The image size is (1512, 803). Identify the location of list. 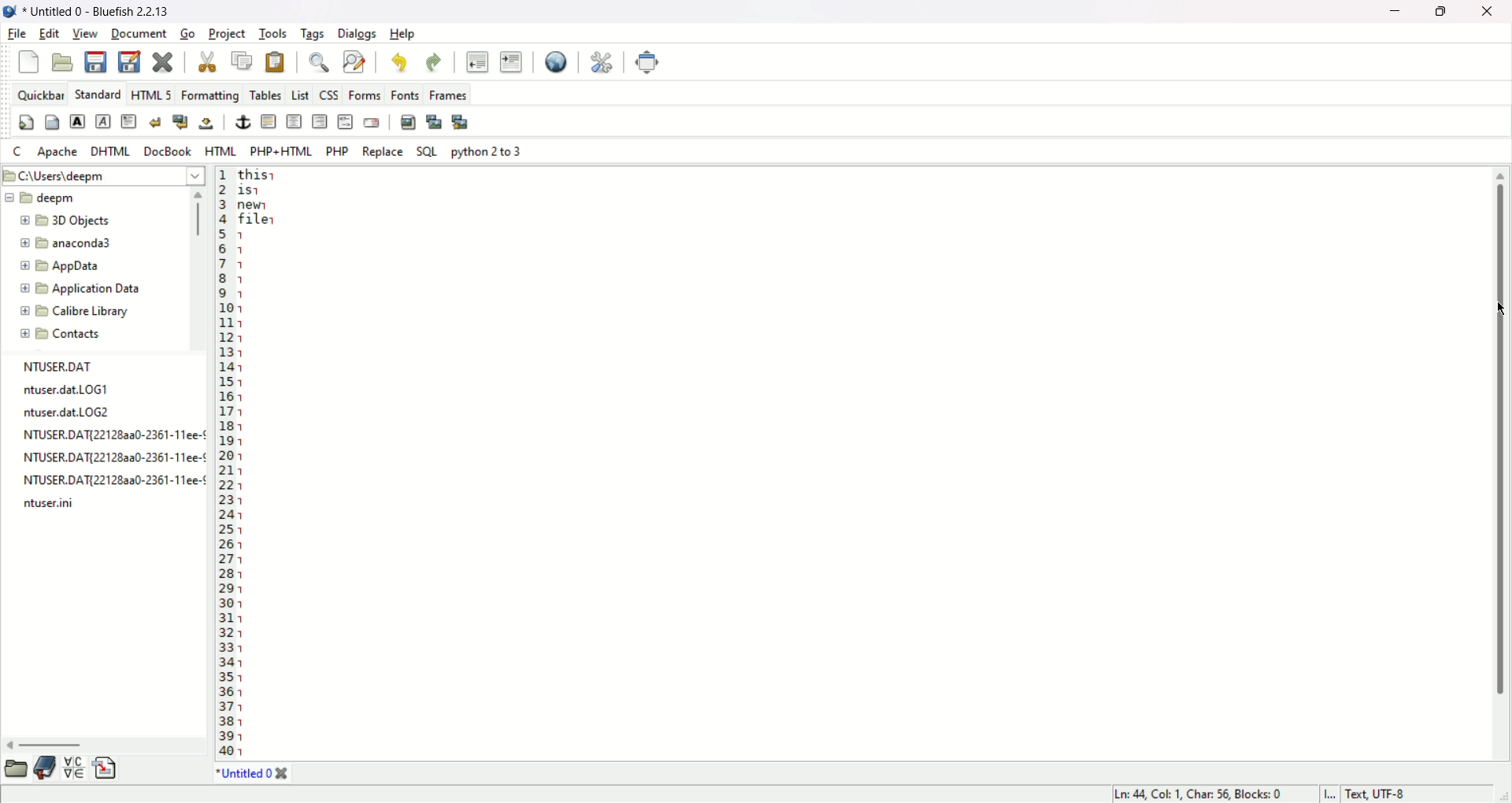
(300, 94).